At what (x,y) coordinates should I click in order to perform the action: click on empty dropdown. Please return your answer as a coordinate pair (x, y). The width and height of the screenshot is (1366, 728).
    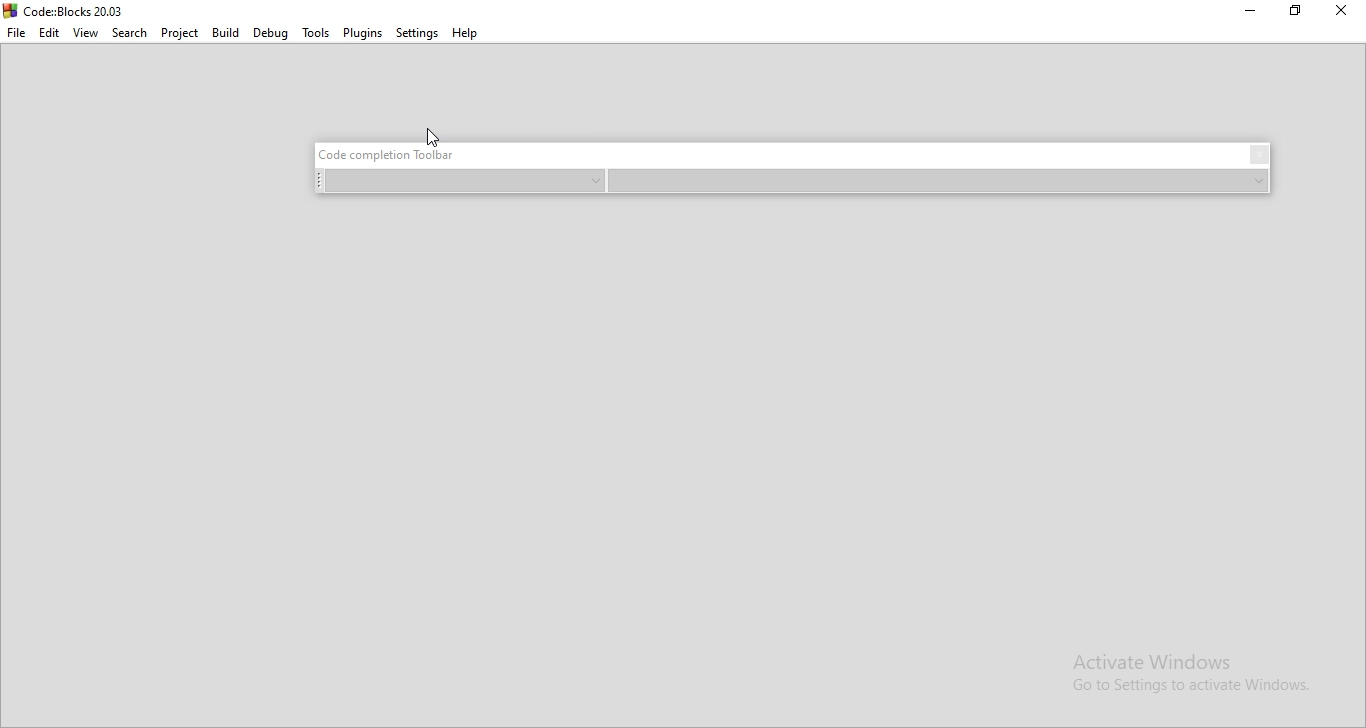
    Looking at the image, I should click on (460, 181).